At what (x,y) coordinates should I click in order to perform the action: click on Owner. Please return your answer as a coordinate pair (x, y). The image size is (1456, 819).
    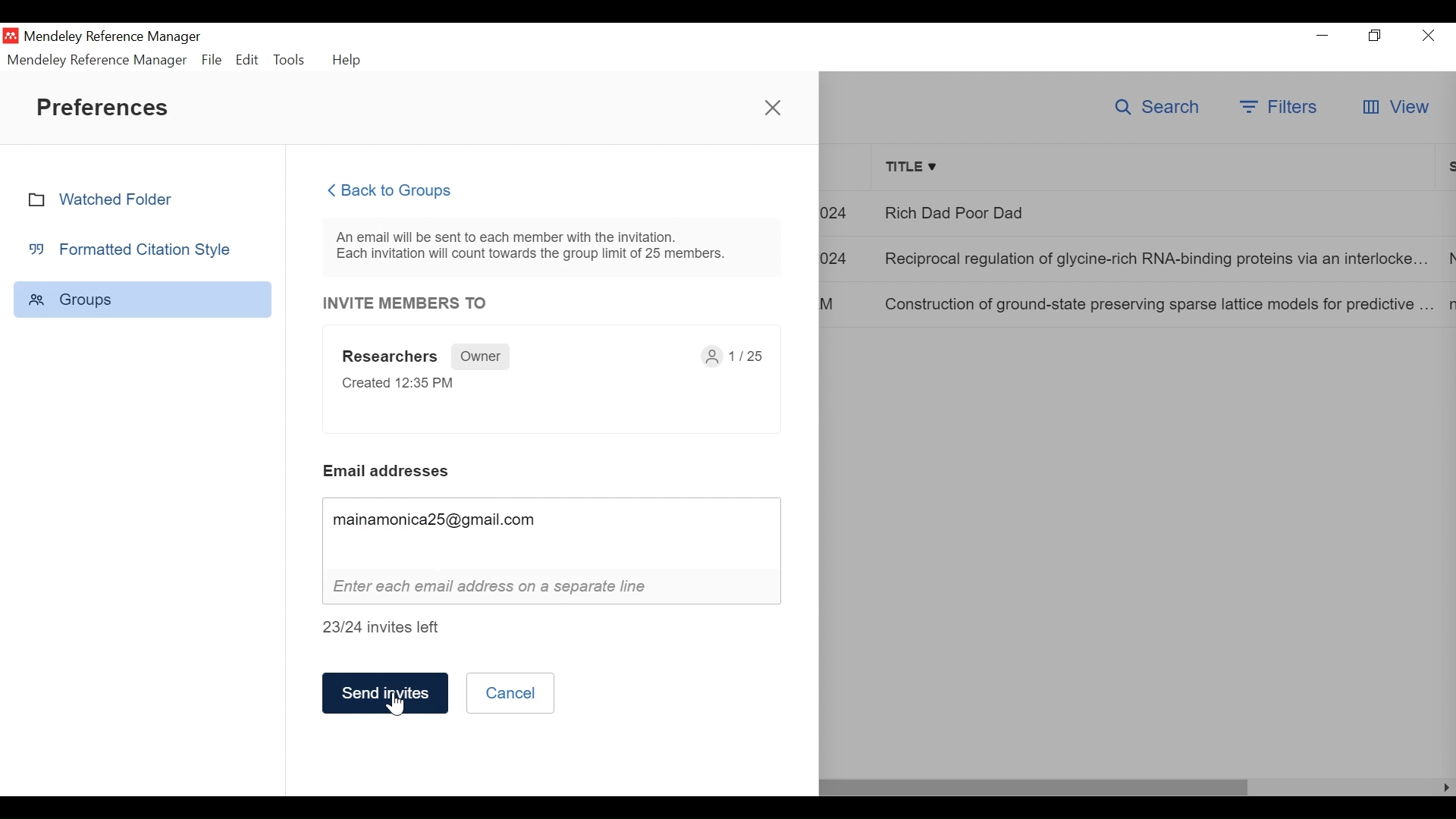
    Looking at the image, I should click on (482, 356).